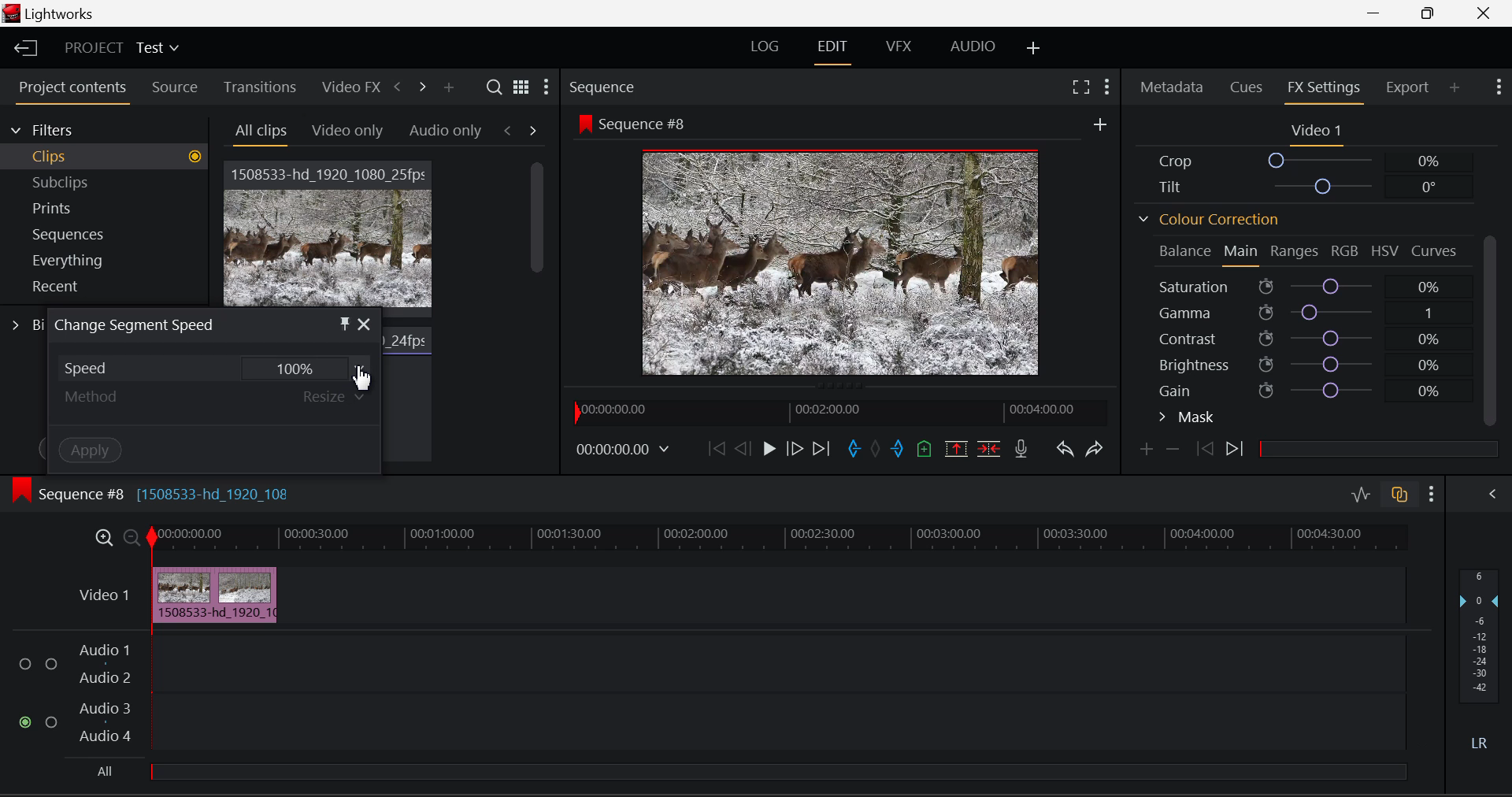 The image size is (1512, 797). What do you see at coordinates (798, 449) in the screenshot?
I see `Go Forward` at bounding box center [798, 449].